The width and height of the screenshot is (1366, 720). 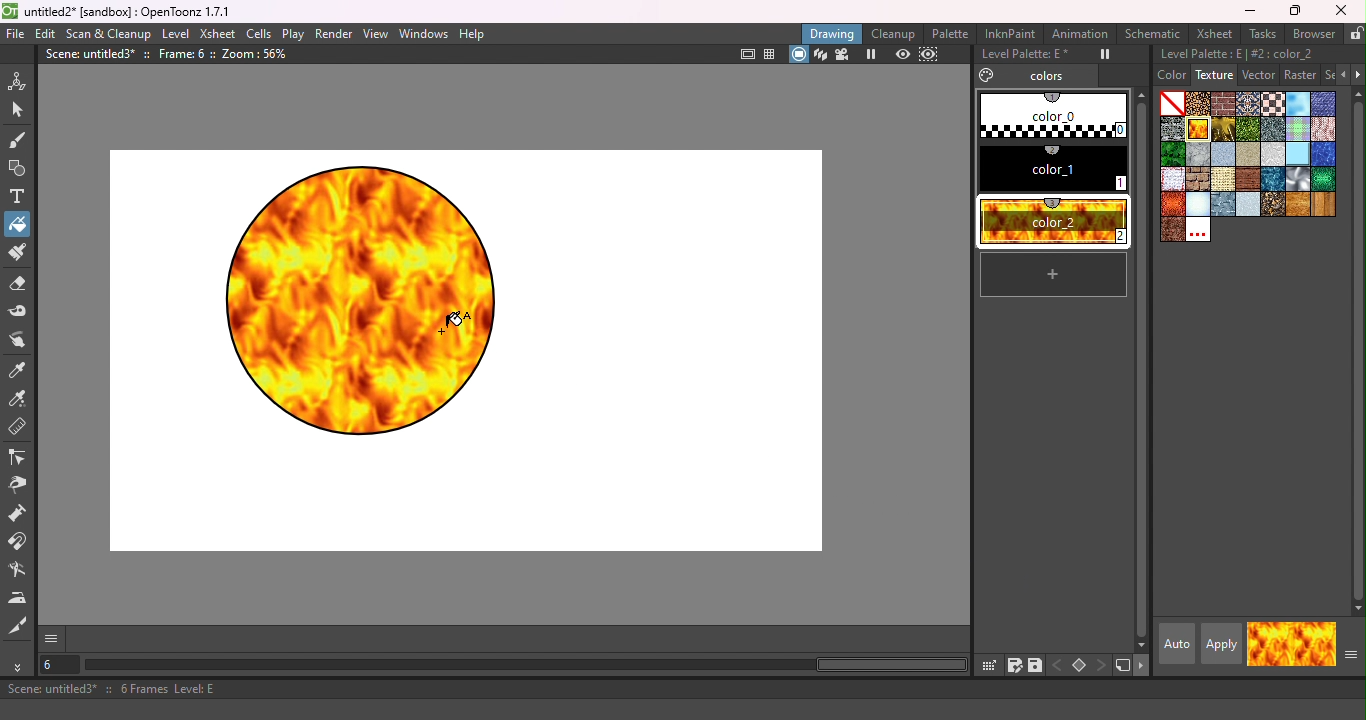 I want to click on Cleanup, so click(x=894, y=33).